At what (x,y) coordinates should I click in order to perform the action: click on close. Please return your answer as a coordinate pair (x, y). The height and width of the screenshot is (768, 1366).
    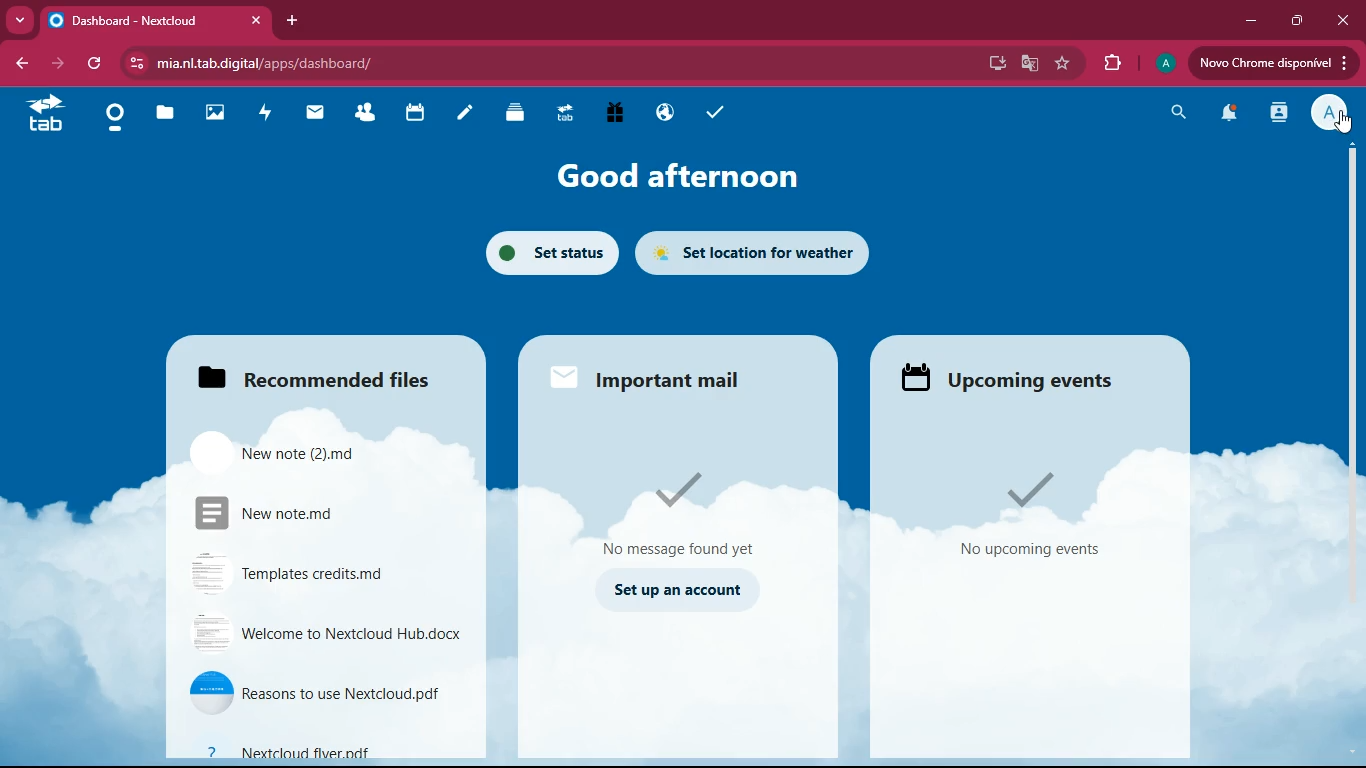
    Looking at the image, I should click on (1342, 20).